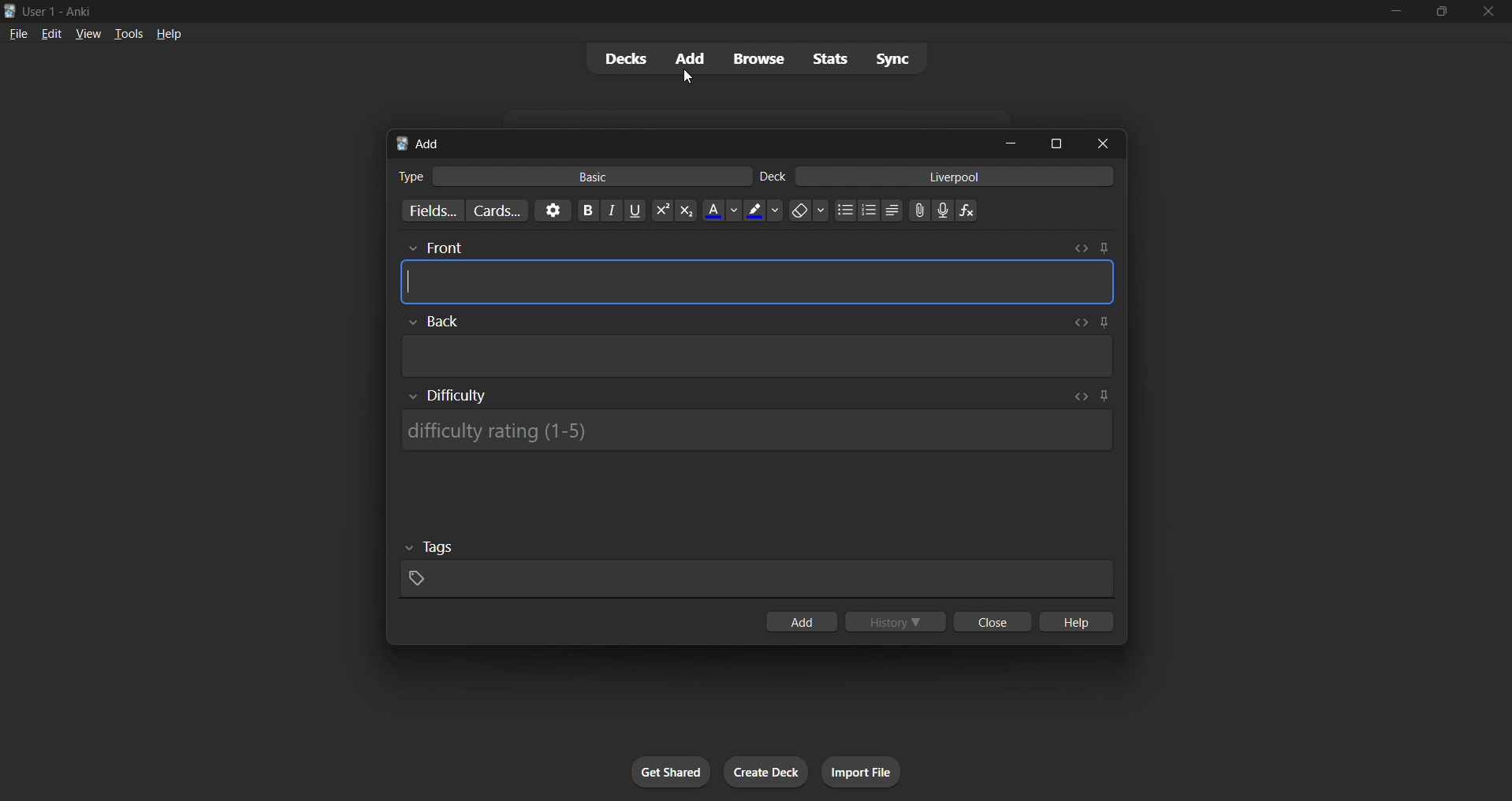 The height and width of the screenshot is (801, 1512). I want to click on close, so click(1108, 143).